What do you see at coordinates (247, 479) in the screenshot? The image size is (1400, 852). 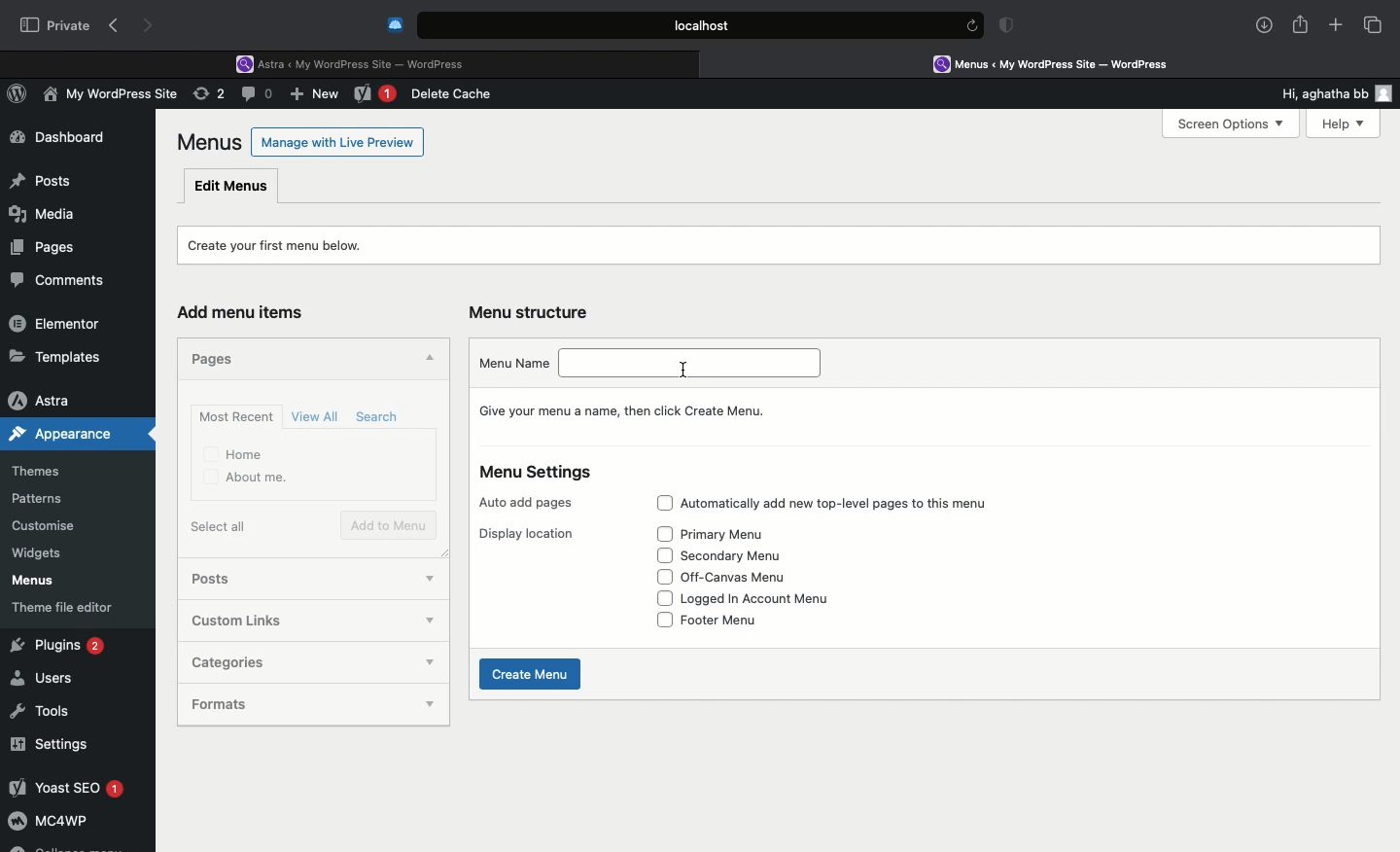 I see `About me` at bounding box center [247, 479].